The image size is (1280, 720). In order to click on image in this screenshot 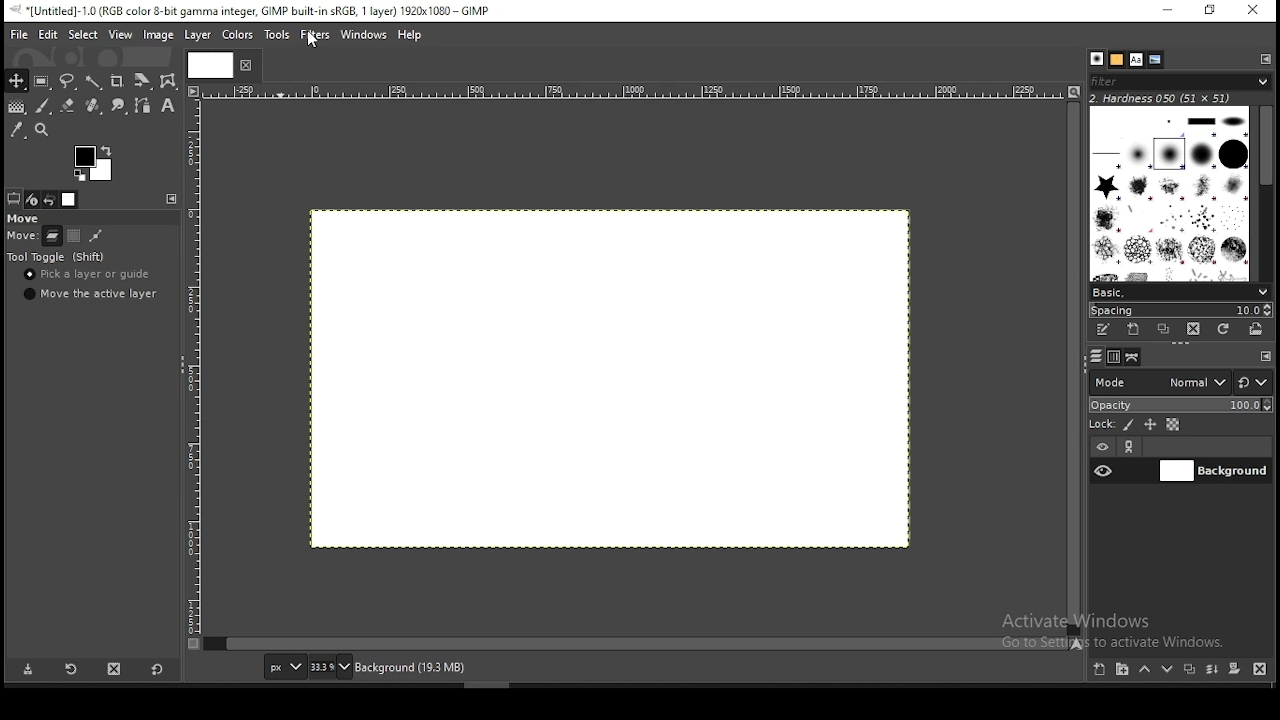, I will do `click(158, 35)`.